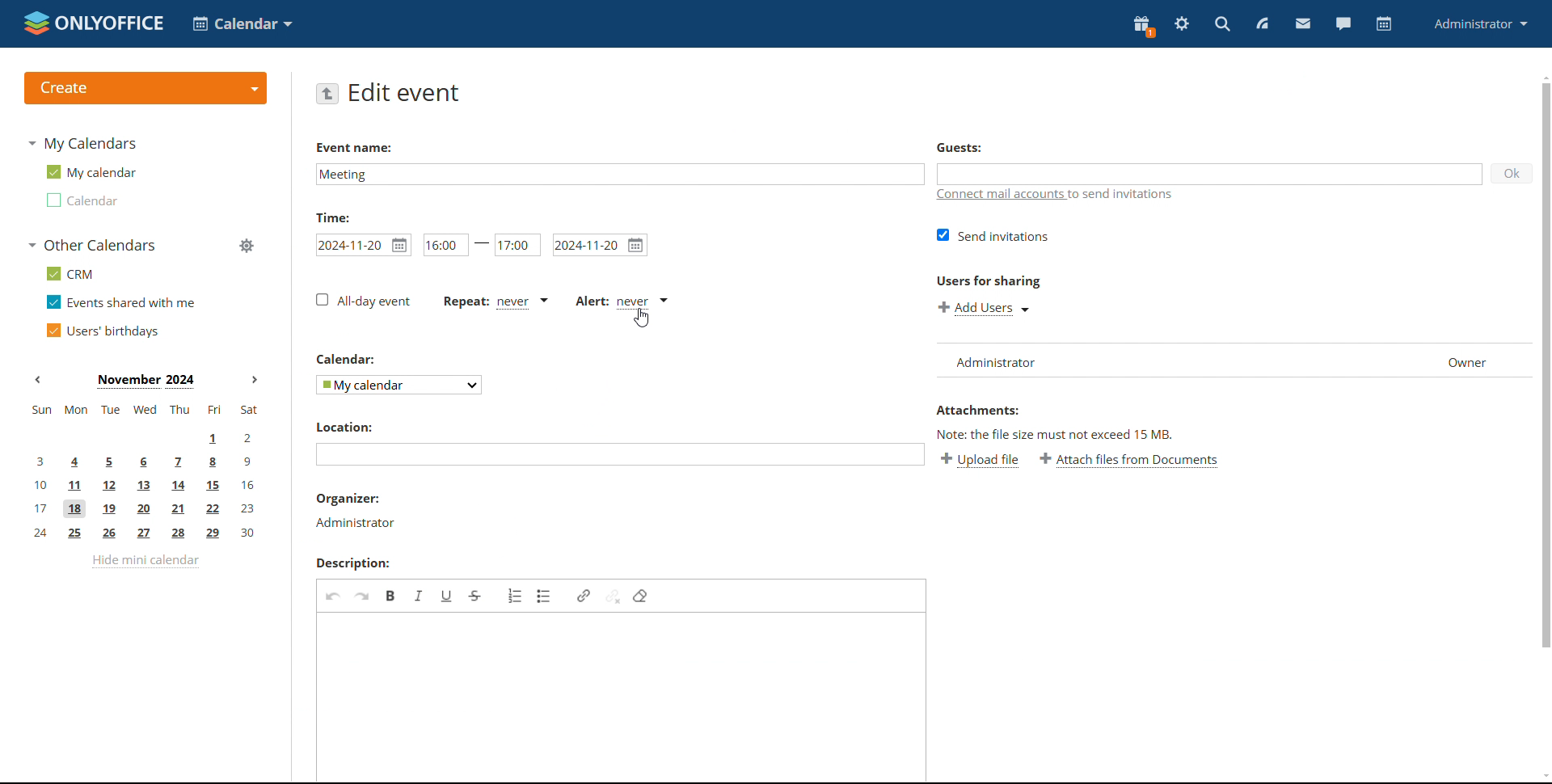  What do you see at coordinates (145, 472) in the screenshot?
I see `mini calendar` at bounding box center [145, 472].